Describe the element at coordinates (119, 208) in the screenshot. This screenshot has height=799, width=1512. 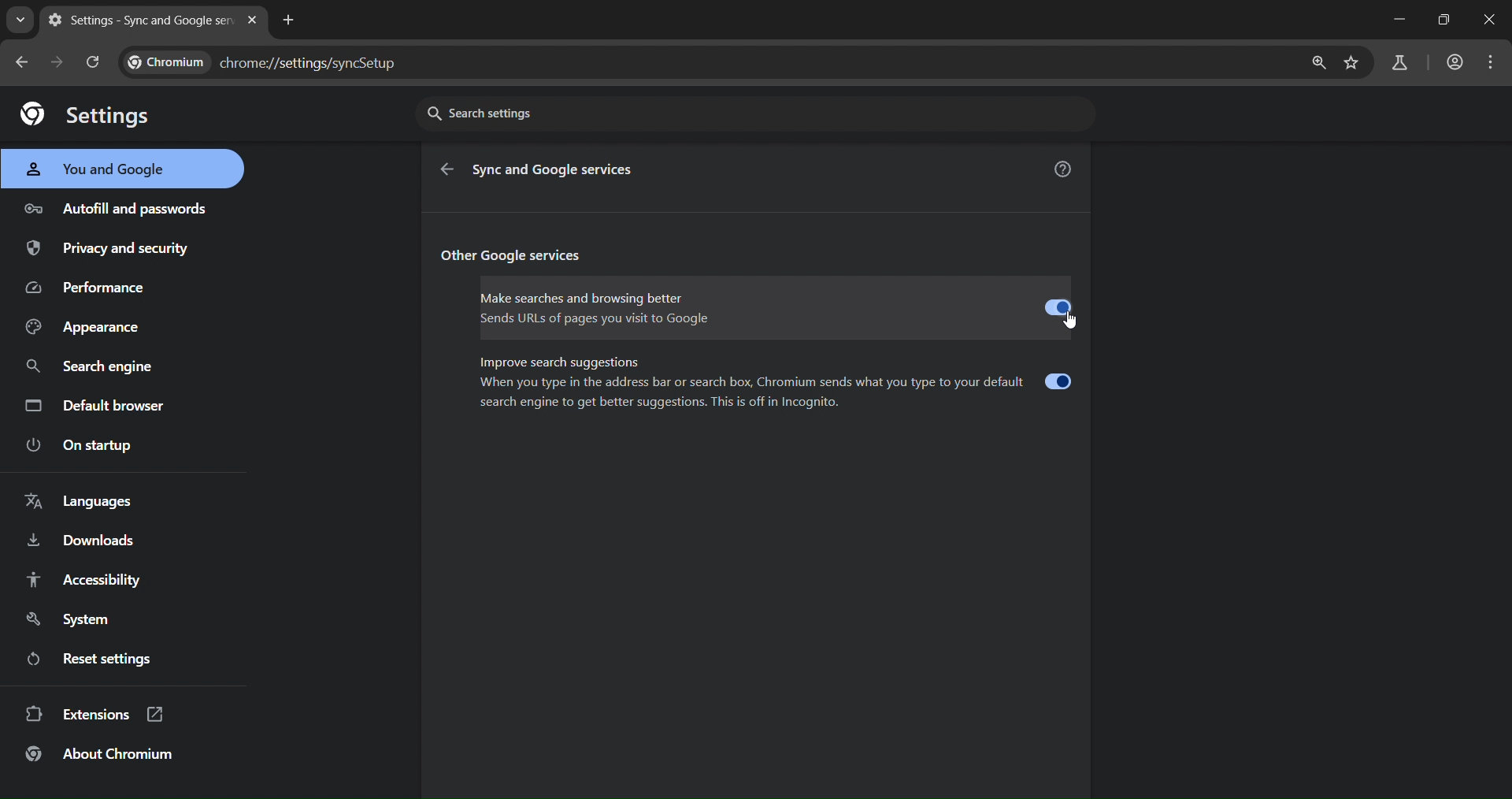
I see `autofill and passwords` at that location.